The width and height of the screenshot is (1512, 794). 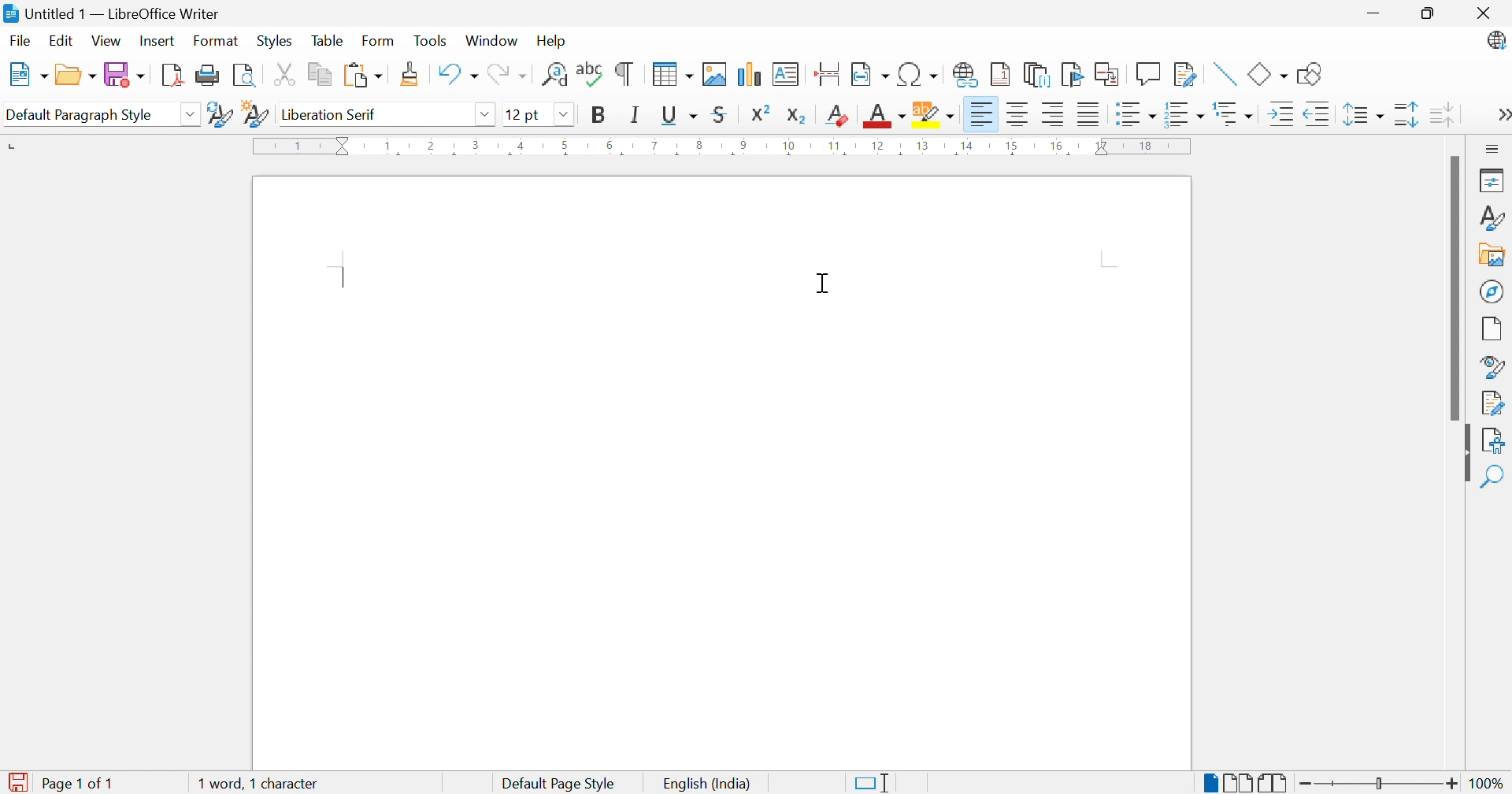 What do you see at coordinates (1494, 180) in the screenshot?
I see `Properties` at bounding box center [1494, 180].